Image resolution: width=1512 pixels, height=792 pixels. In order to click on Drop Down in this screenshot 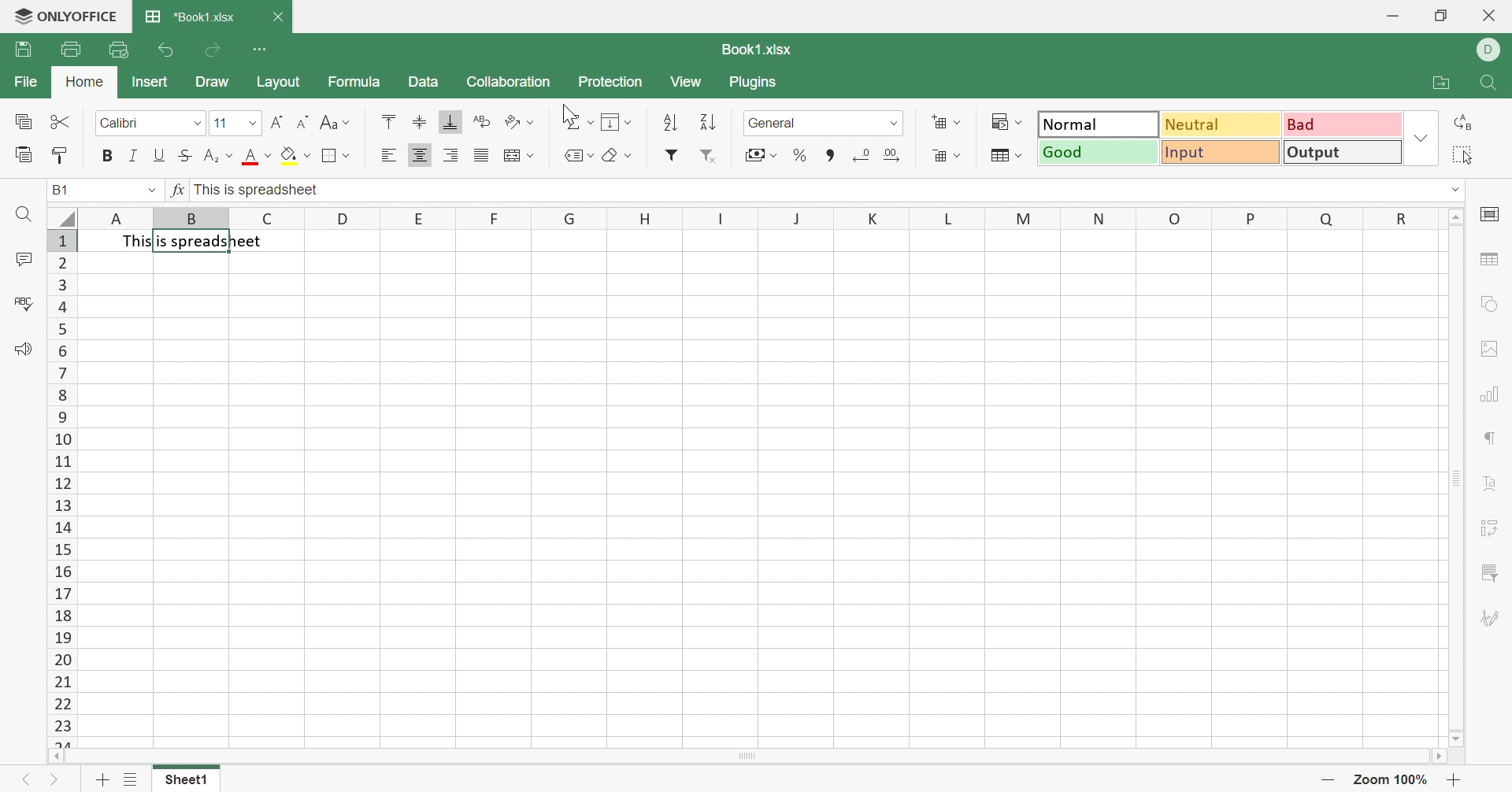, I will do `click(1451, 190)`.